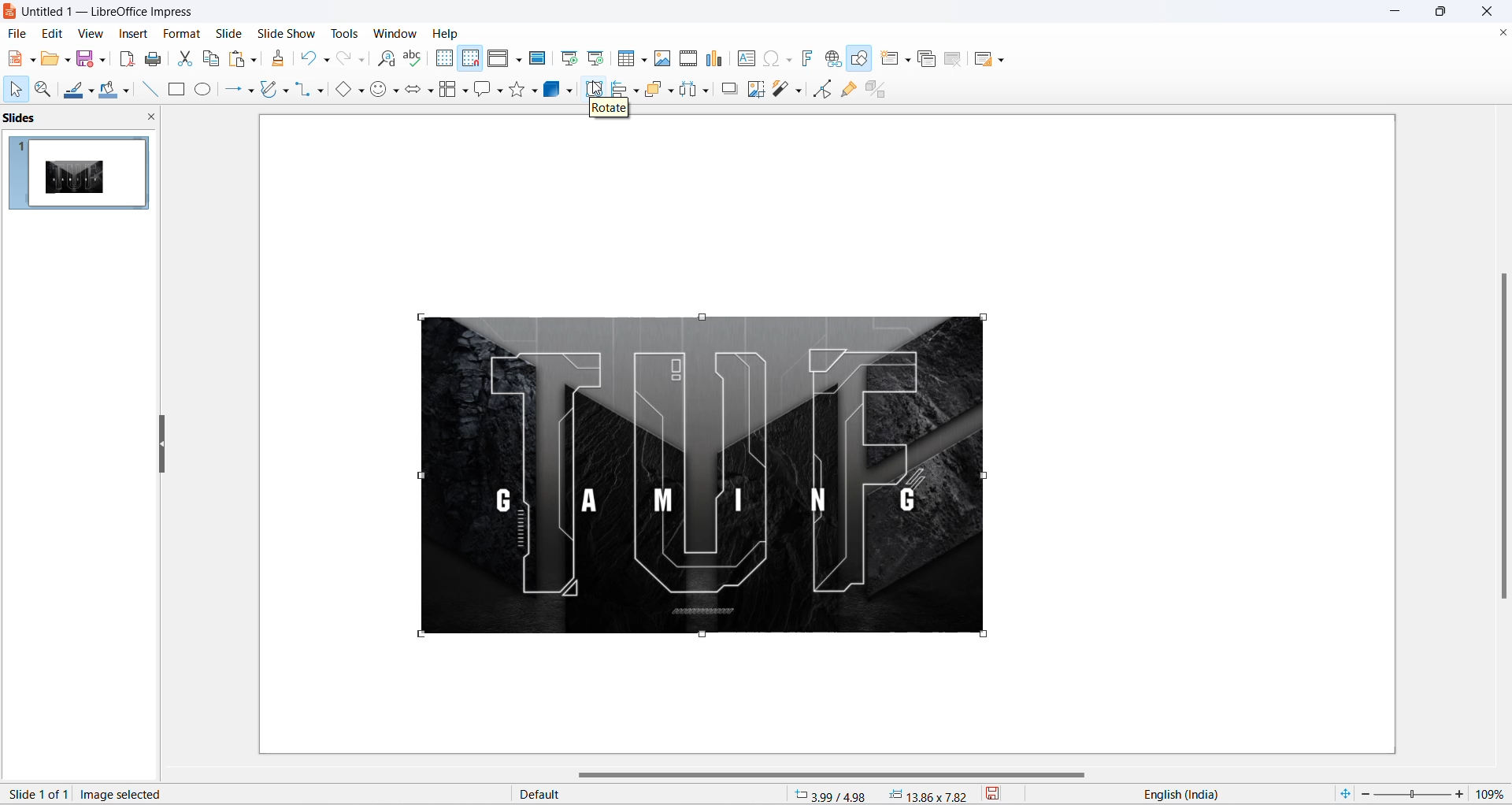 This screenshot has width=1512, height=805. What do you see at coordinates (1363, 796) in the screenshot?
I see `zoom decrease` at bounding box center [1363, 796].